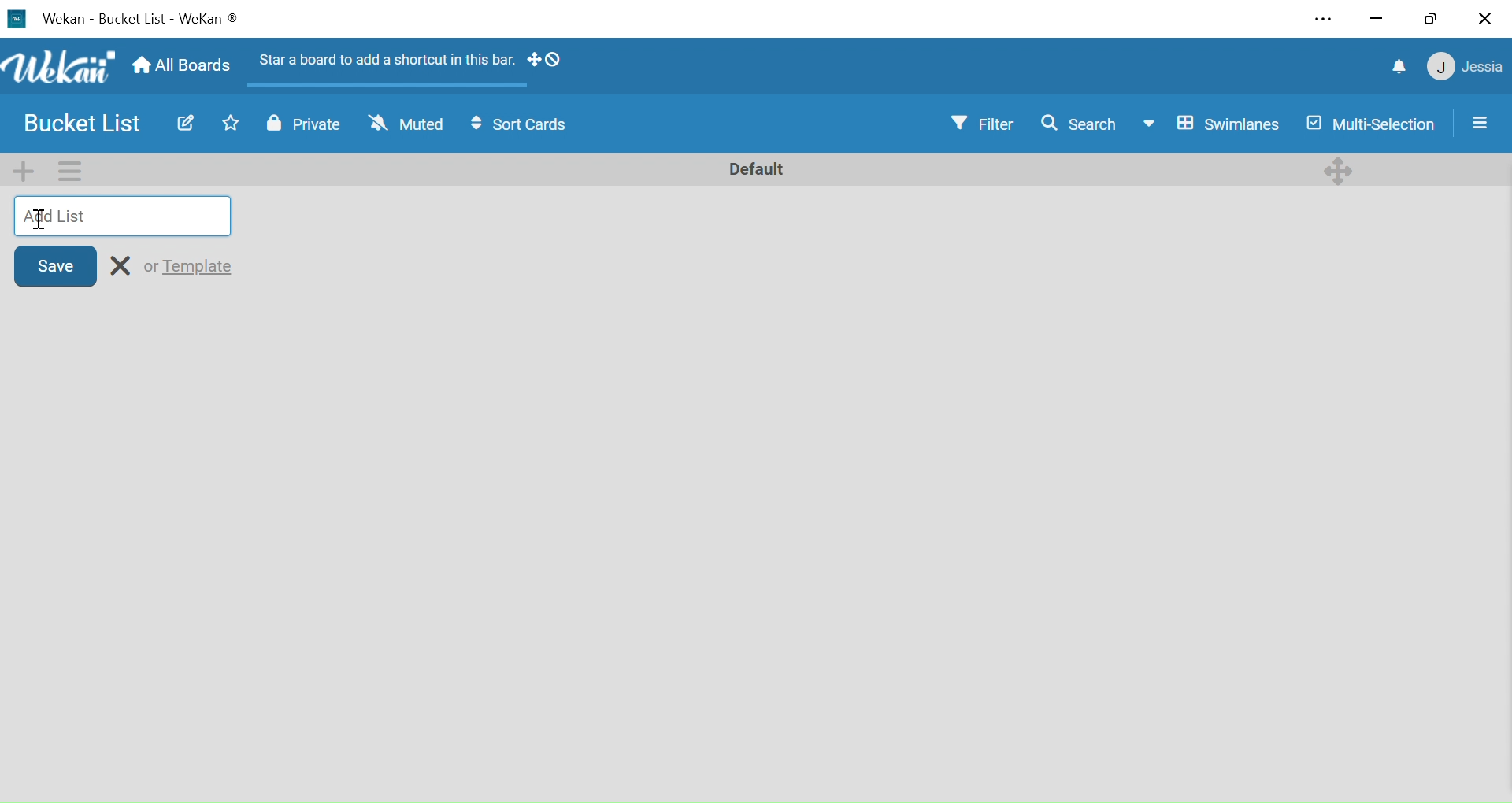 The image size is (1512, 803). I want to click on Toggle handle on/off, so click(545, 62).